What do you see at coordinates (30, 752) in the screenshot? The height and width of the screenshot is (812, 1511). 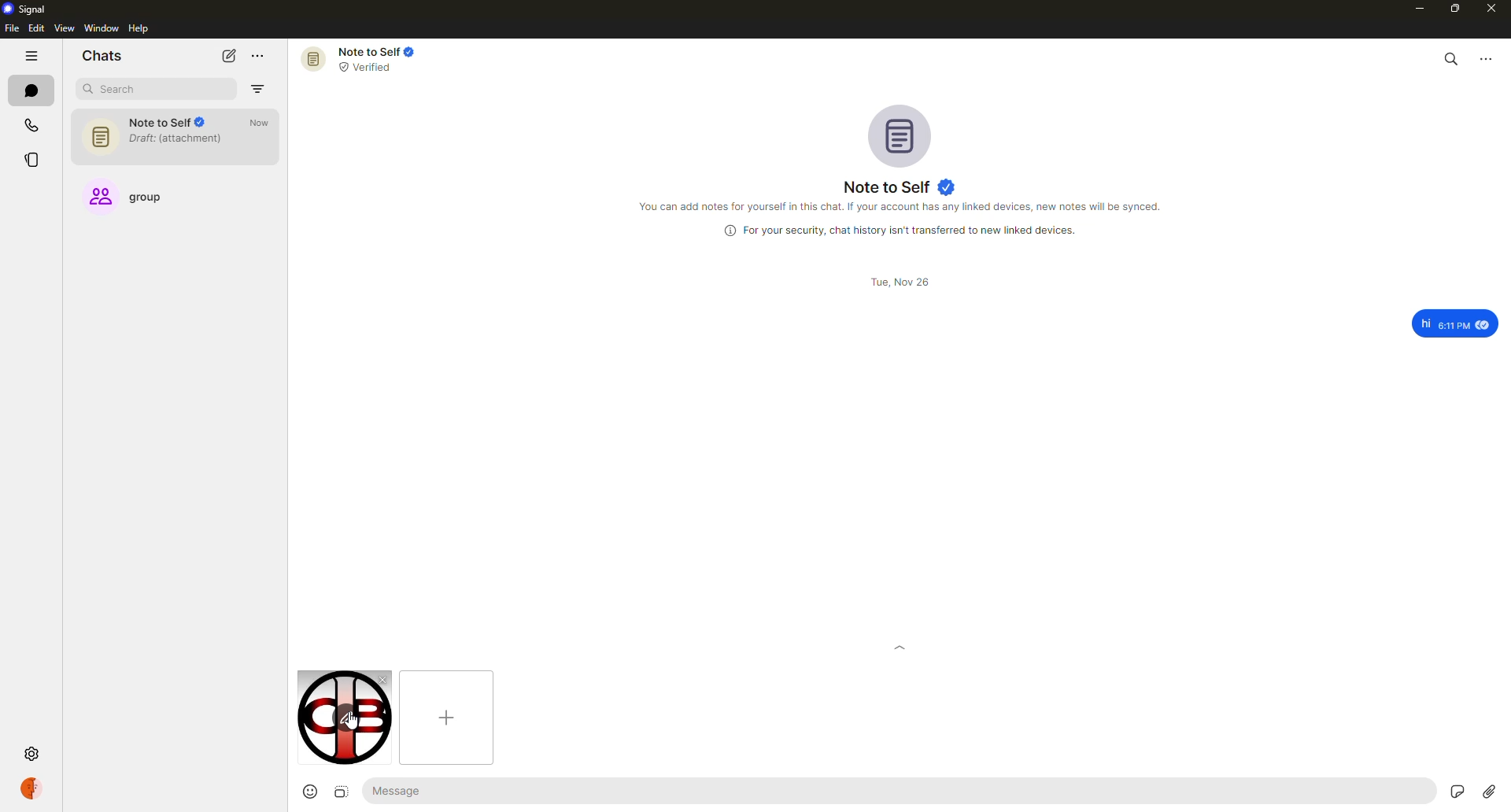 I see `settings` at bounding box center [30, 752].